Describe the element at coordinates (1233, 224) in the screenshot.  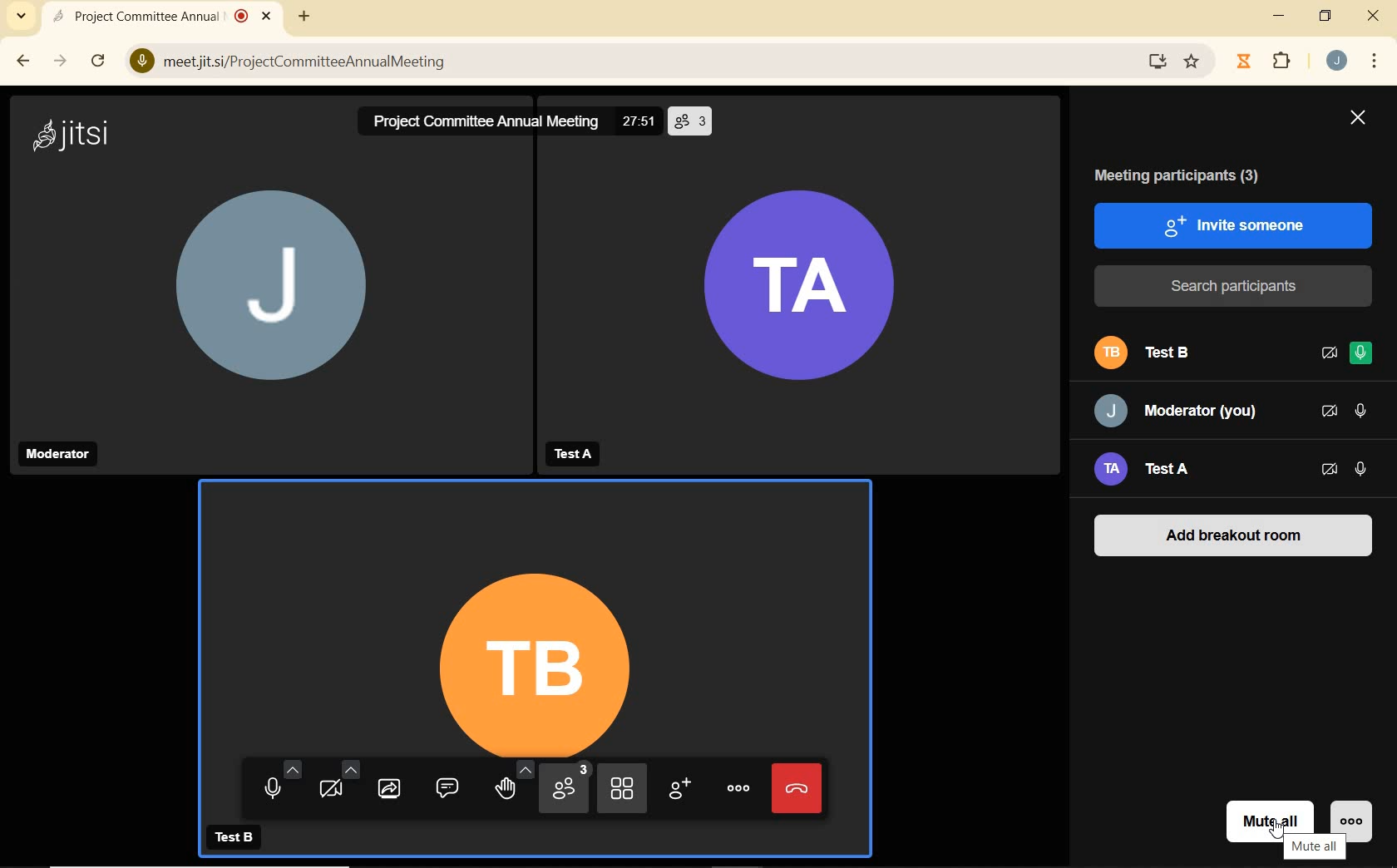
I see `INVITE SOMEONE` at that location.